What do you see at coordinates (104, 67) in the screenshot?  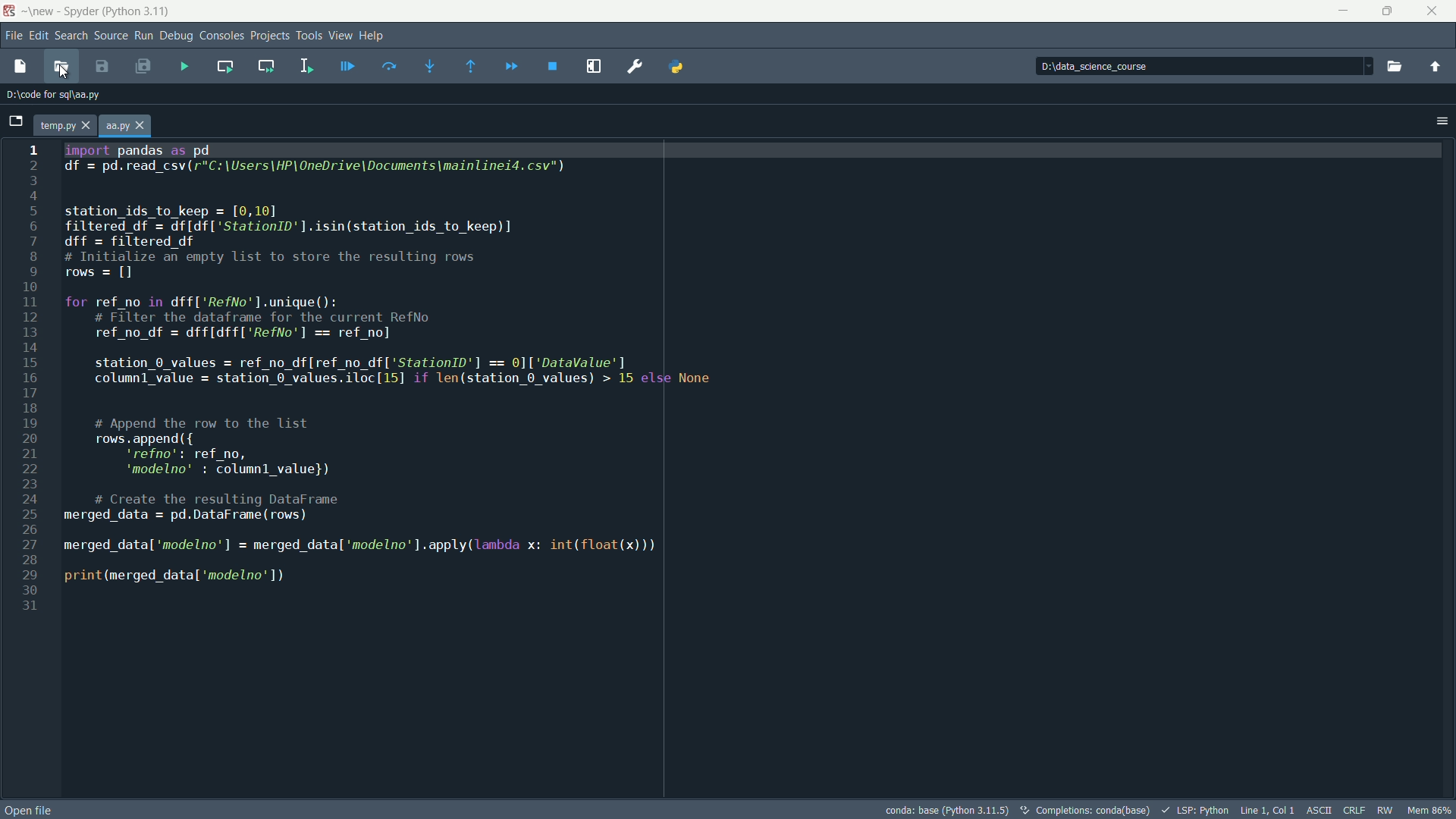 I see `save file` at bounding box center [104, 67].